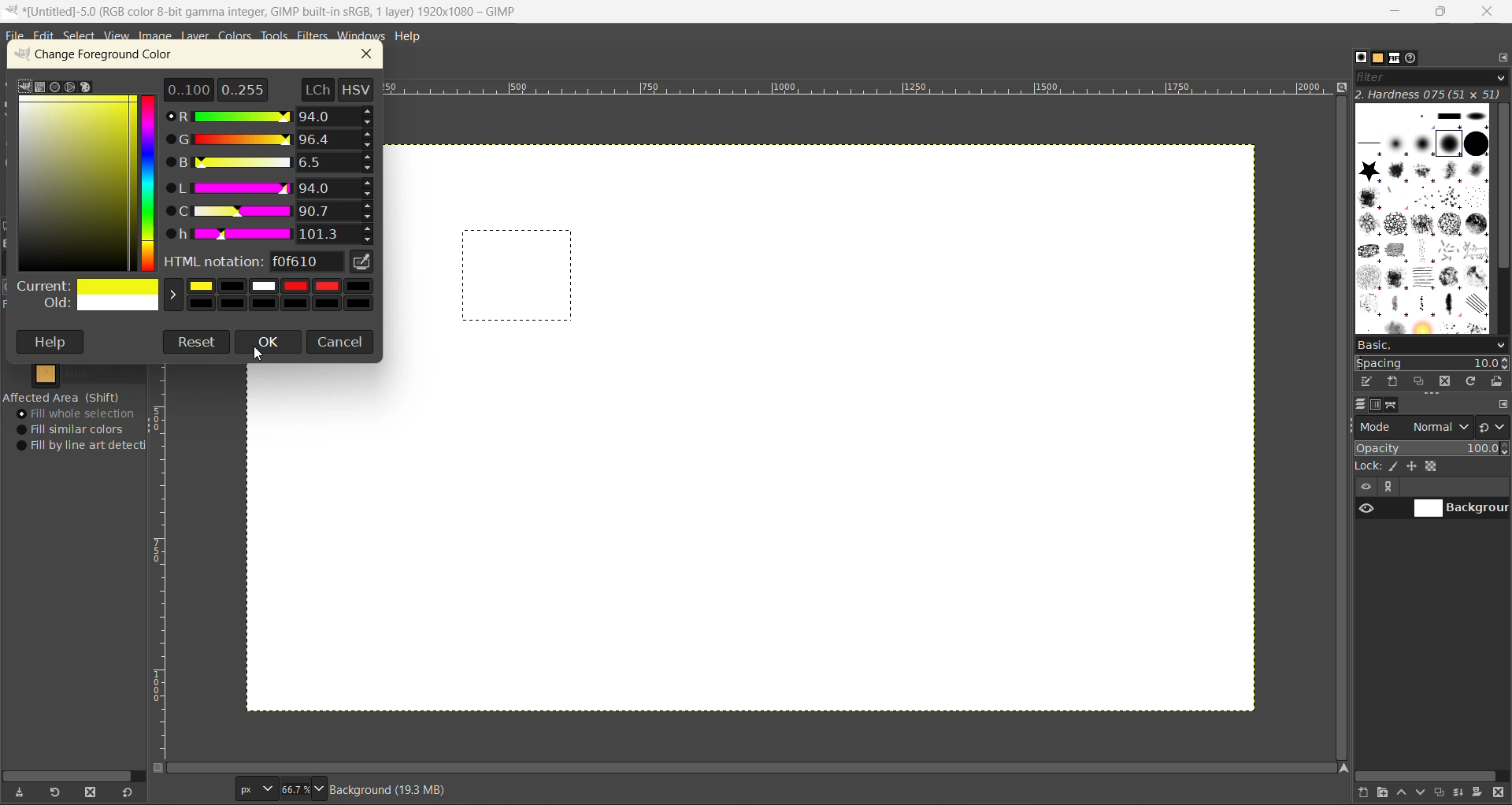 Image resolution: width=1512 pixels, height=805 pixels. Describe the element at coordinates (63, 397) in the screenshot. I see `affected area` at that location.